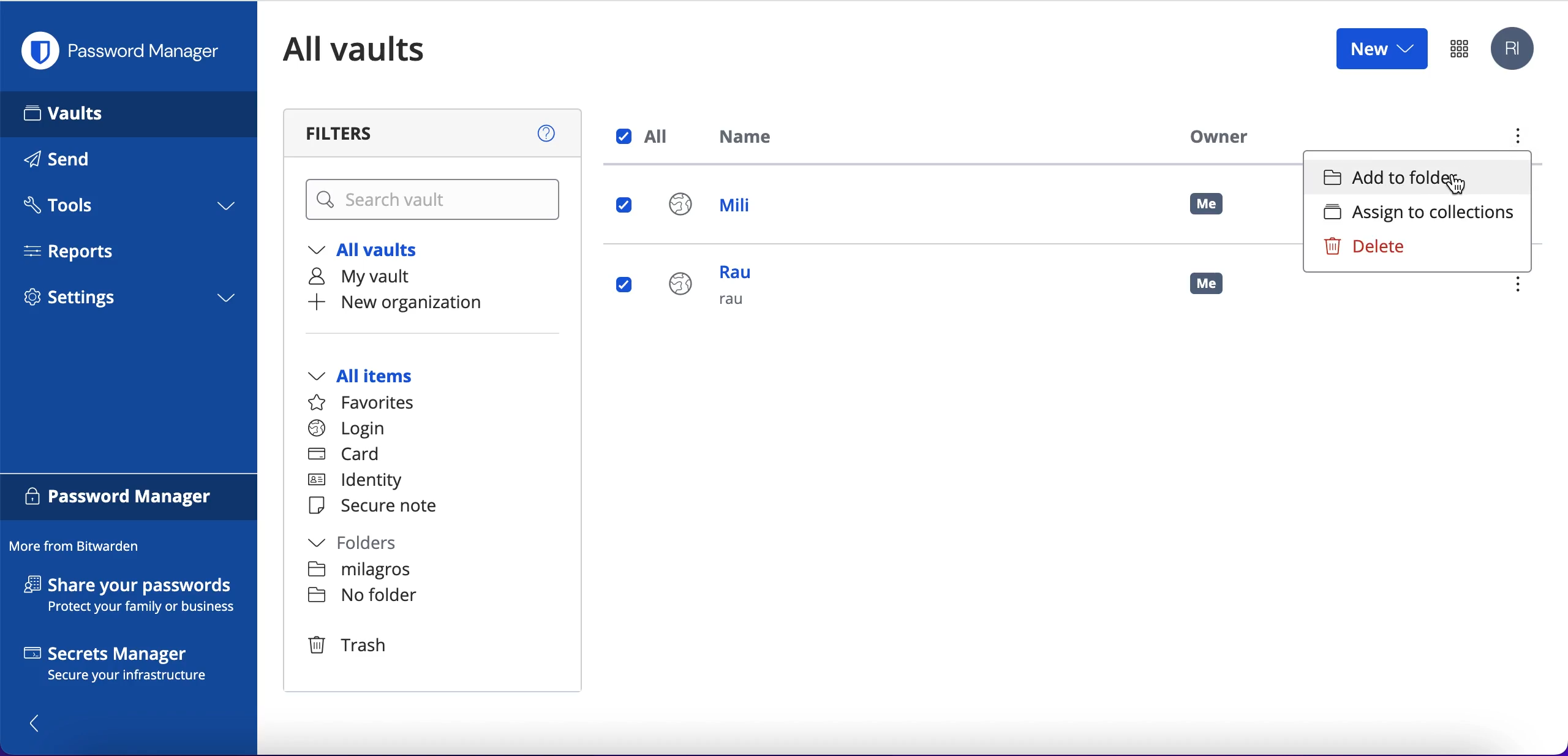 The height and width of the screenshot is (756, 1568). What do you see at coordinates (347, 429) in the screenshot?
I see `login` at bounding box center [347, 429].